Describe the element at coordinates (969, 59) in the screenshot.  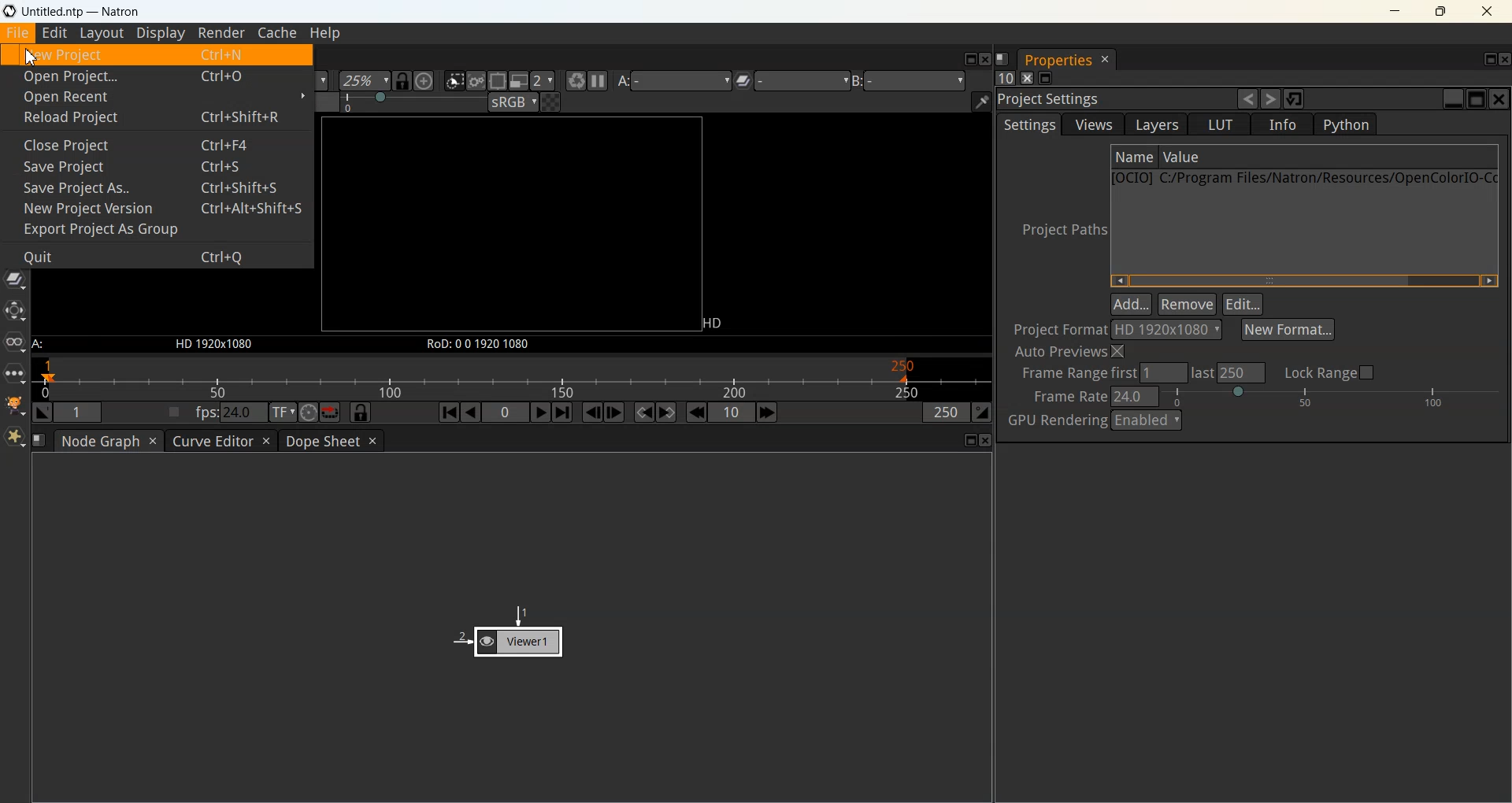
I see `Maximize` at that location.